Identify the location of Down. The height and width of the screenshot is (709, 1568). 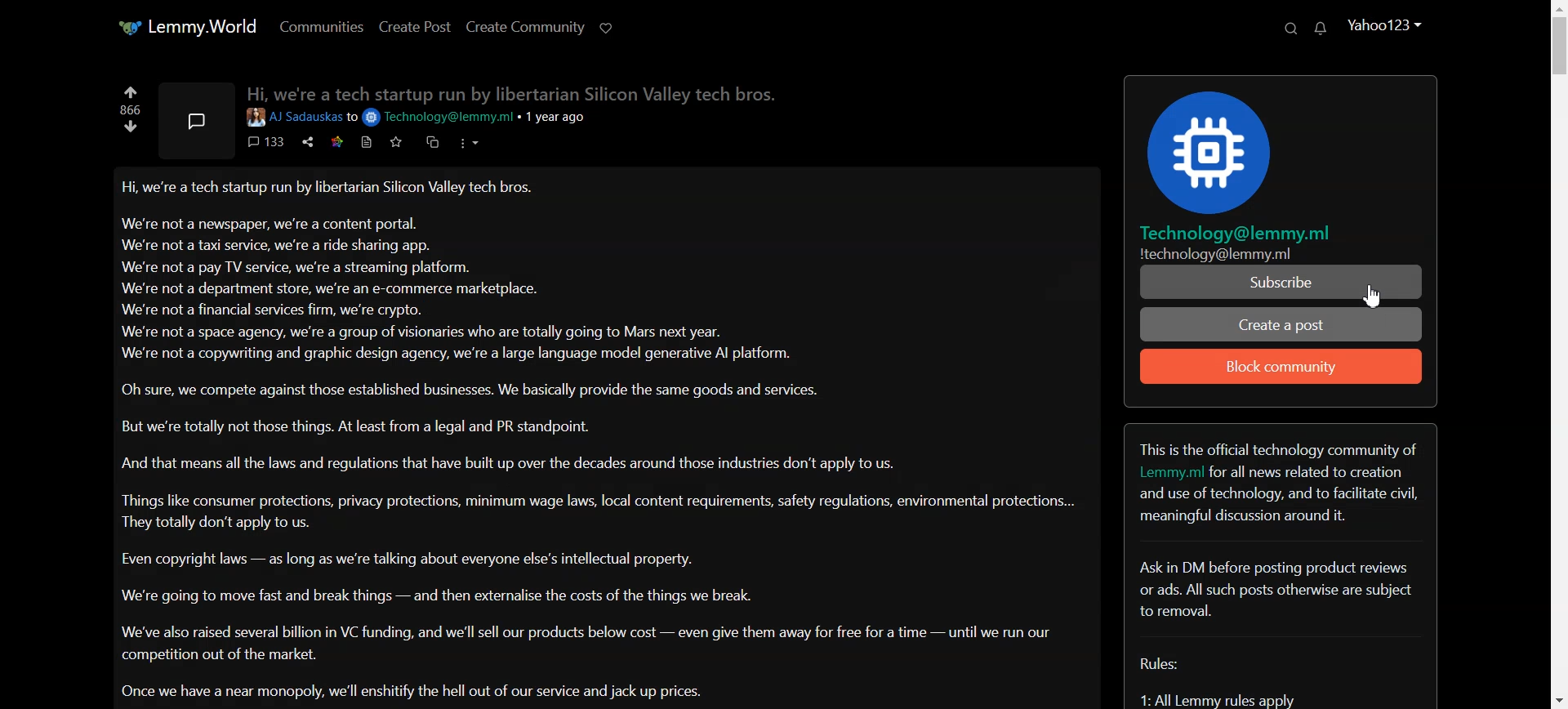
(129, 127).